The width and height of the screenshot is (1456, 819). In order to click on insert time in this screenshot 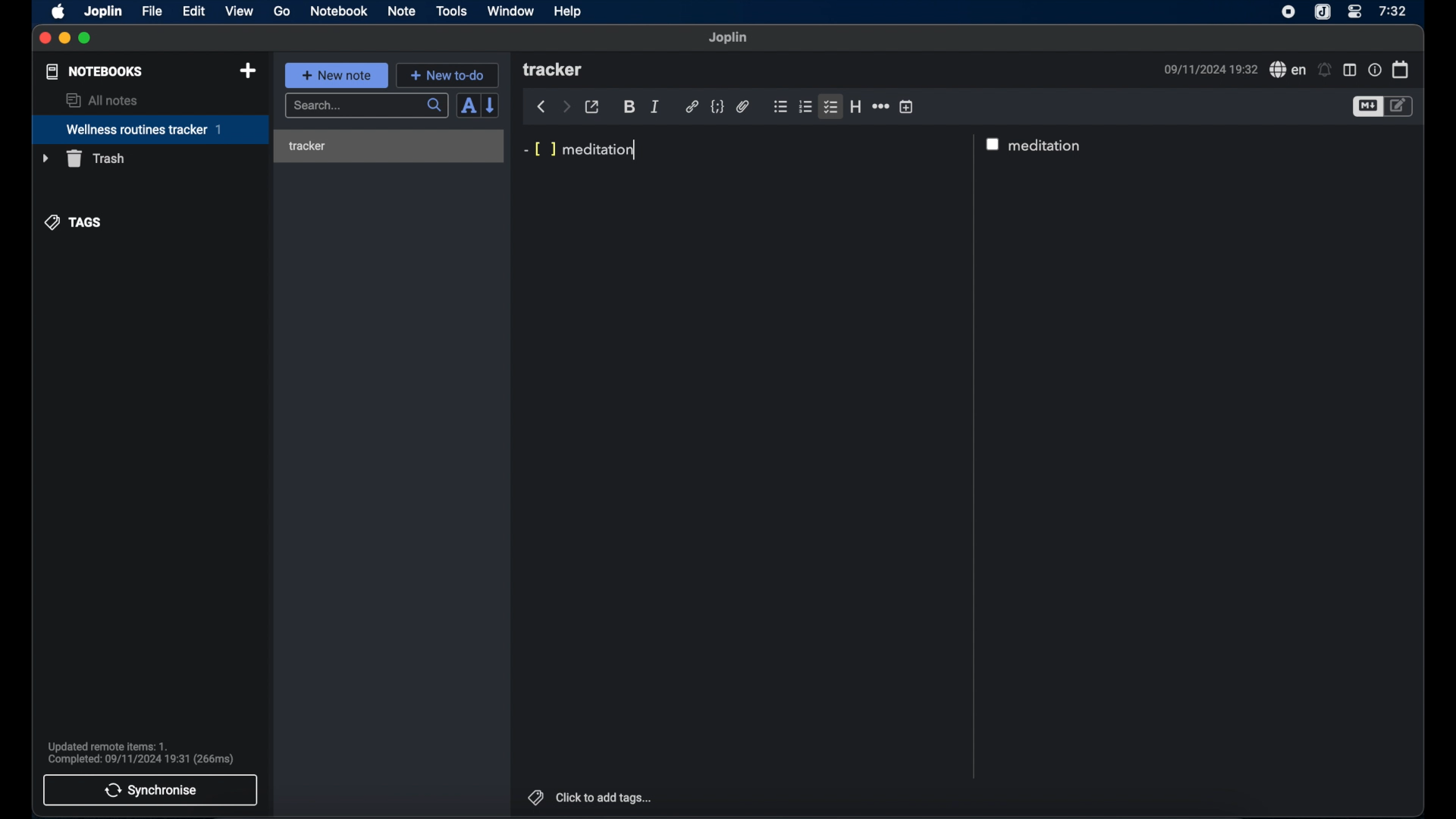, I will do `click(906, 106)`.